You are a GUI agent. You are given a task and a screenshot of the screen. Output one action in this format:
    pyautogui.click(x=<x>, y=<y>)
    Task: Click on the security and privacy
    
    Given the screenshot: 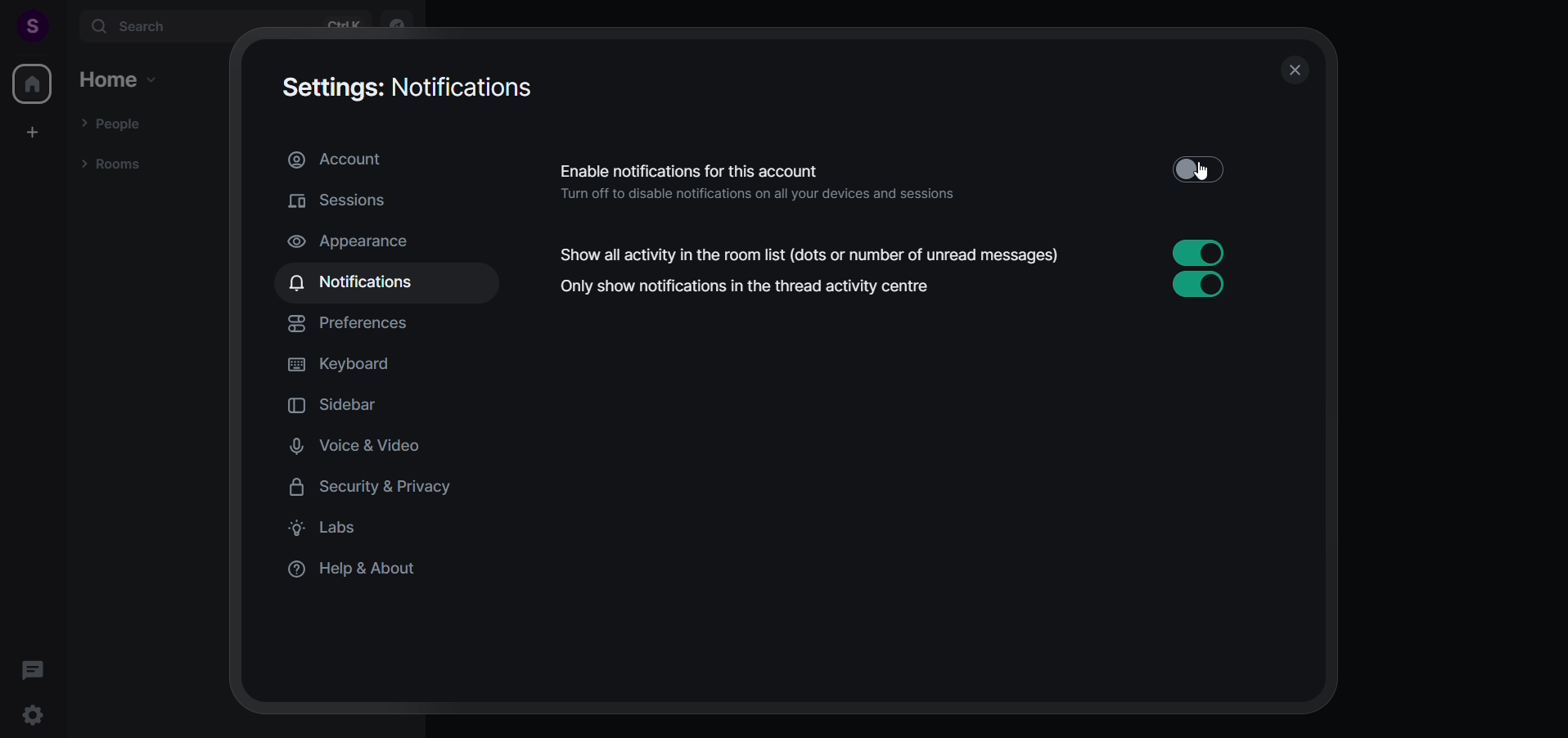 What is the action you would take?
    pyautogui.click(x=377, y=488)
    